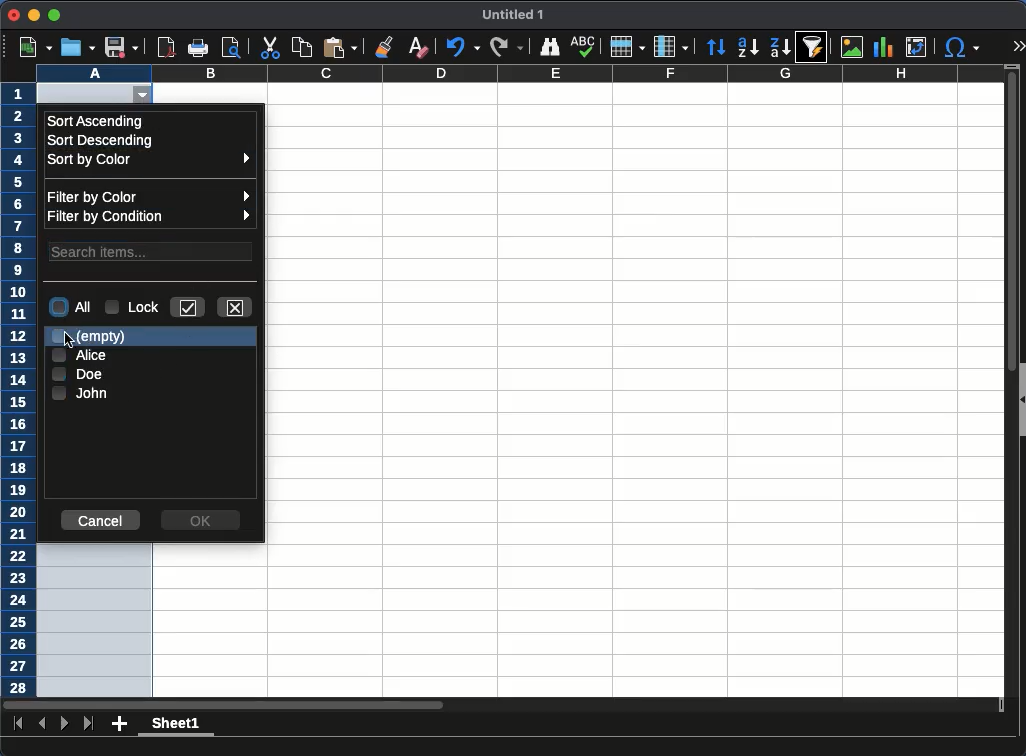 This screenshot has height=756, width=1026. What do you see at coordinates (417, 48) in the screenshot?
I see `clear formatting` at bounding box center [417, 48].